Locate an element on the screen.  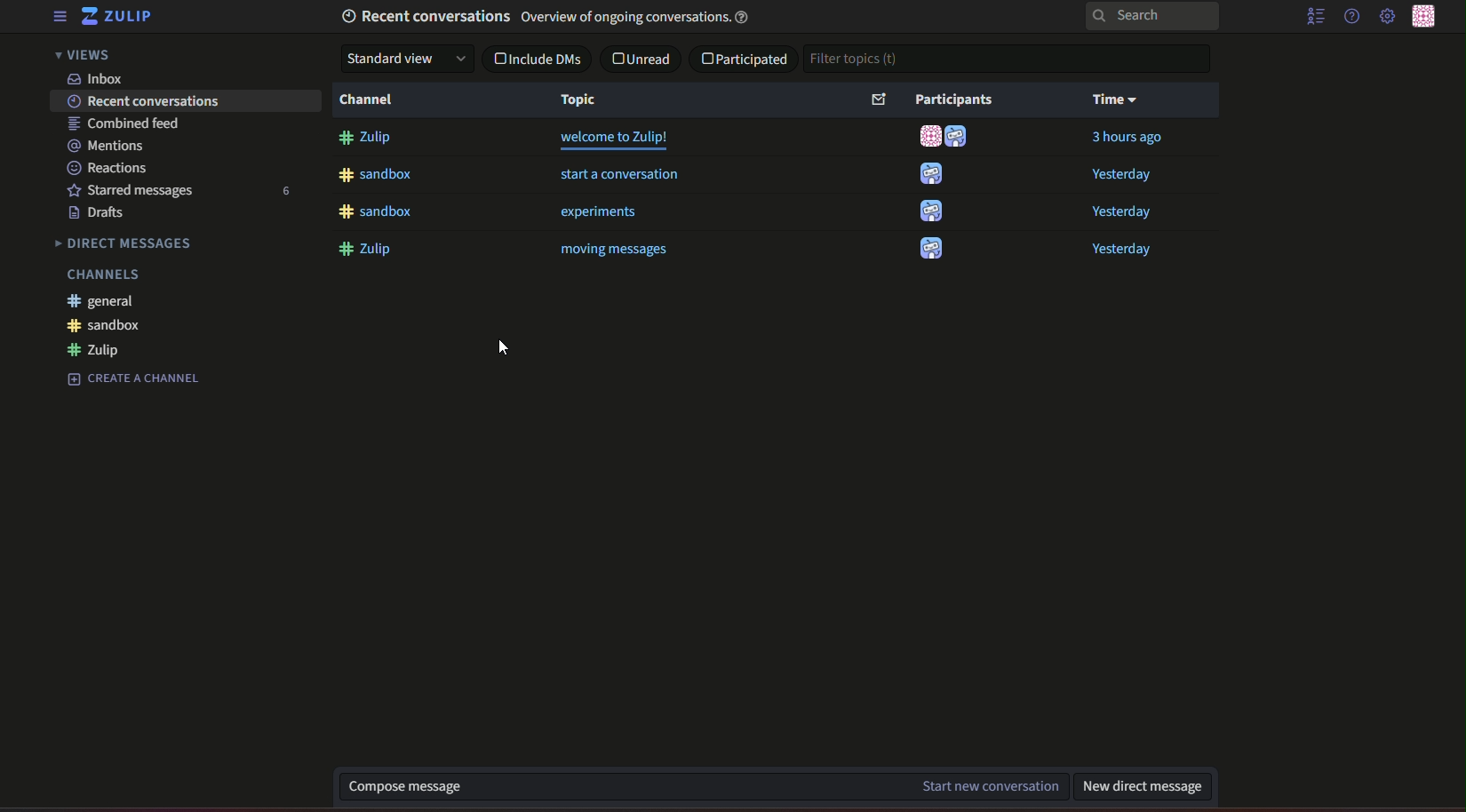
search bar is located at coordinates (1084, 15).